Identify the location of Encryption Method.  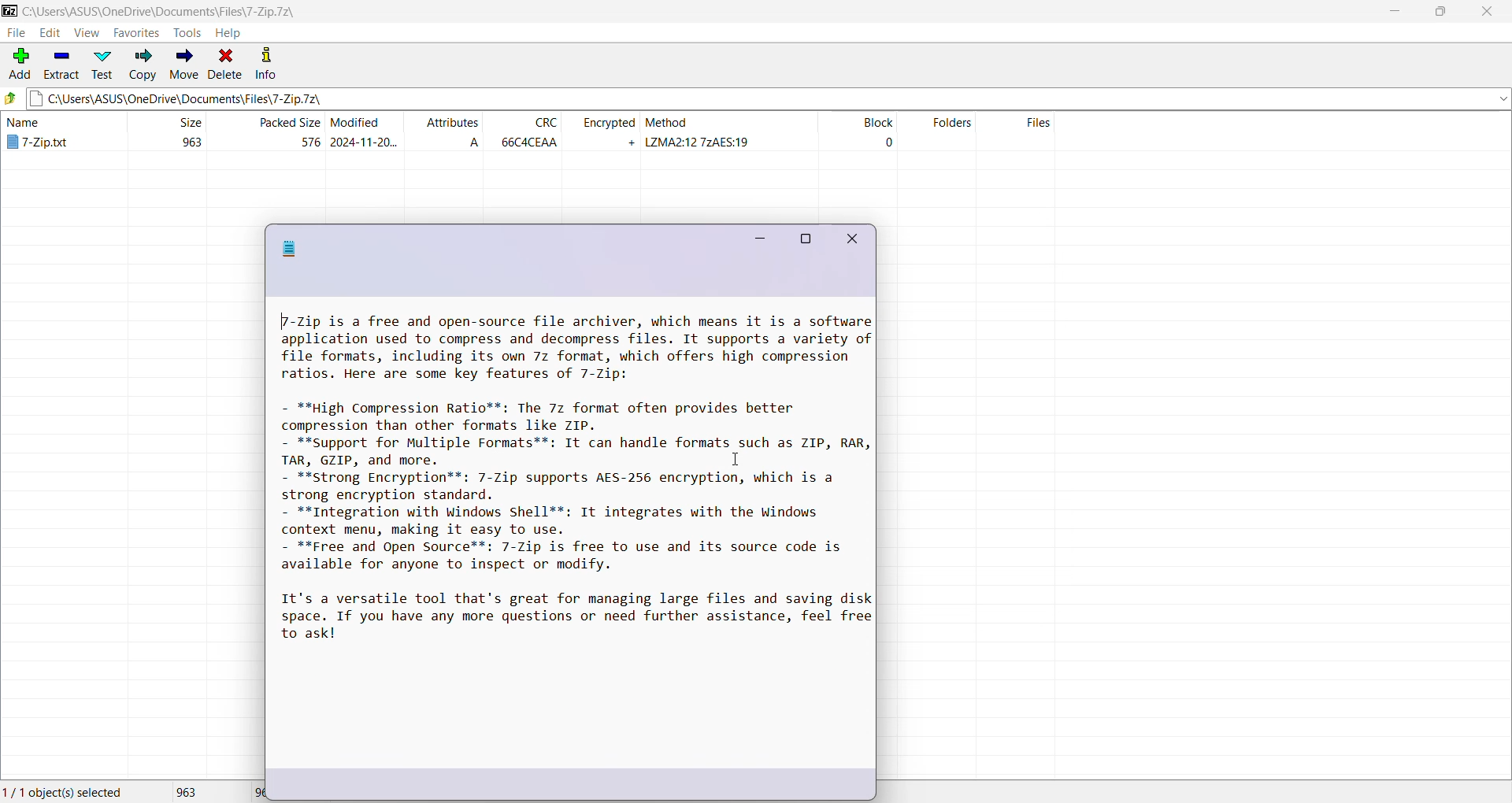
(729, 133).